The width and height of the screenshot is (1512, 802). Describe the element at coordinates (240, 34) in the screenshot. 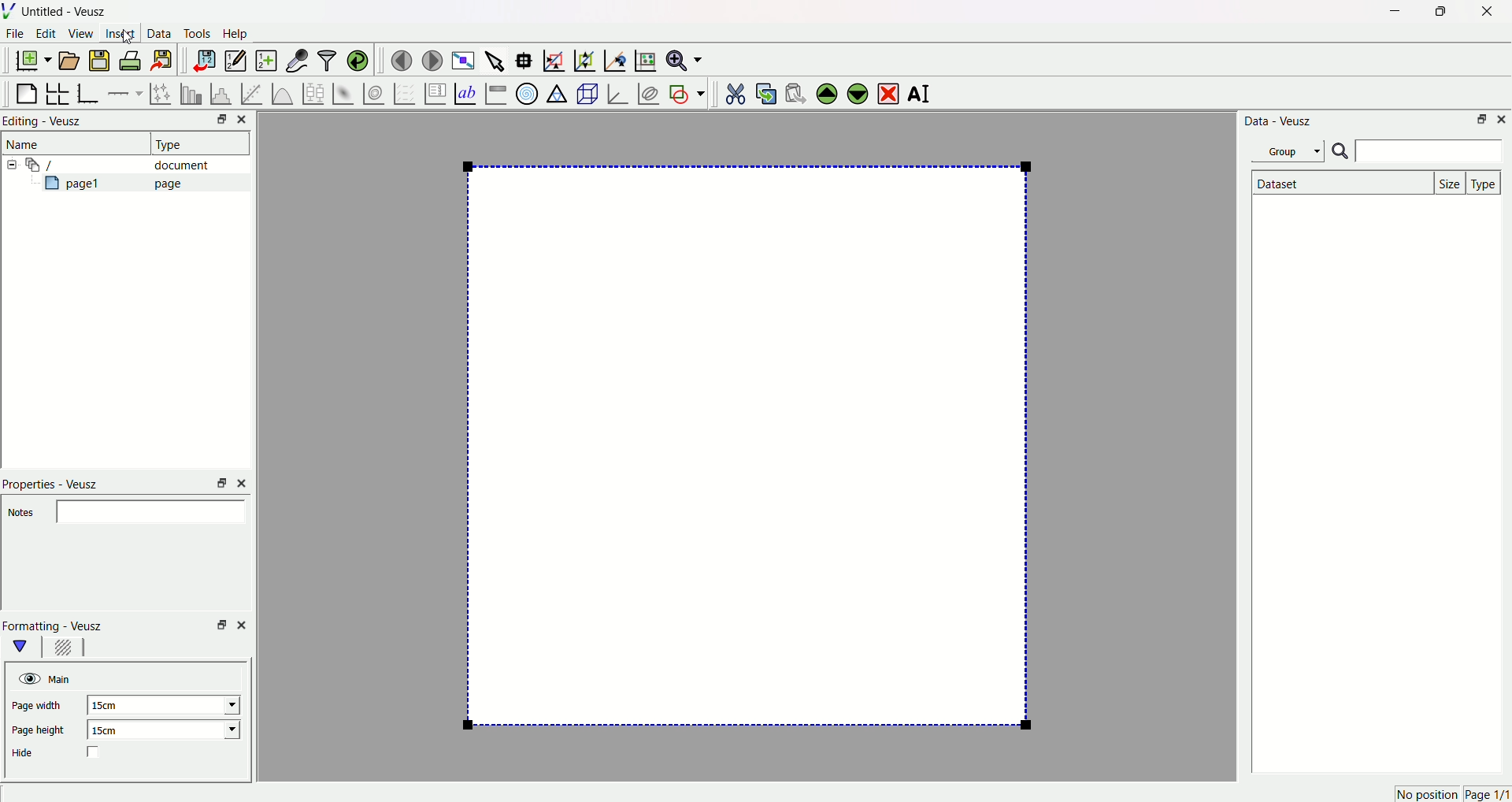

I see `Help` at that location.